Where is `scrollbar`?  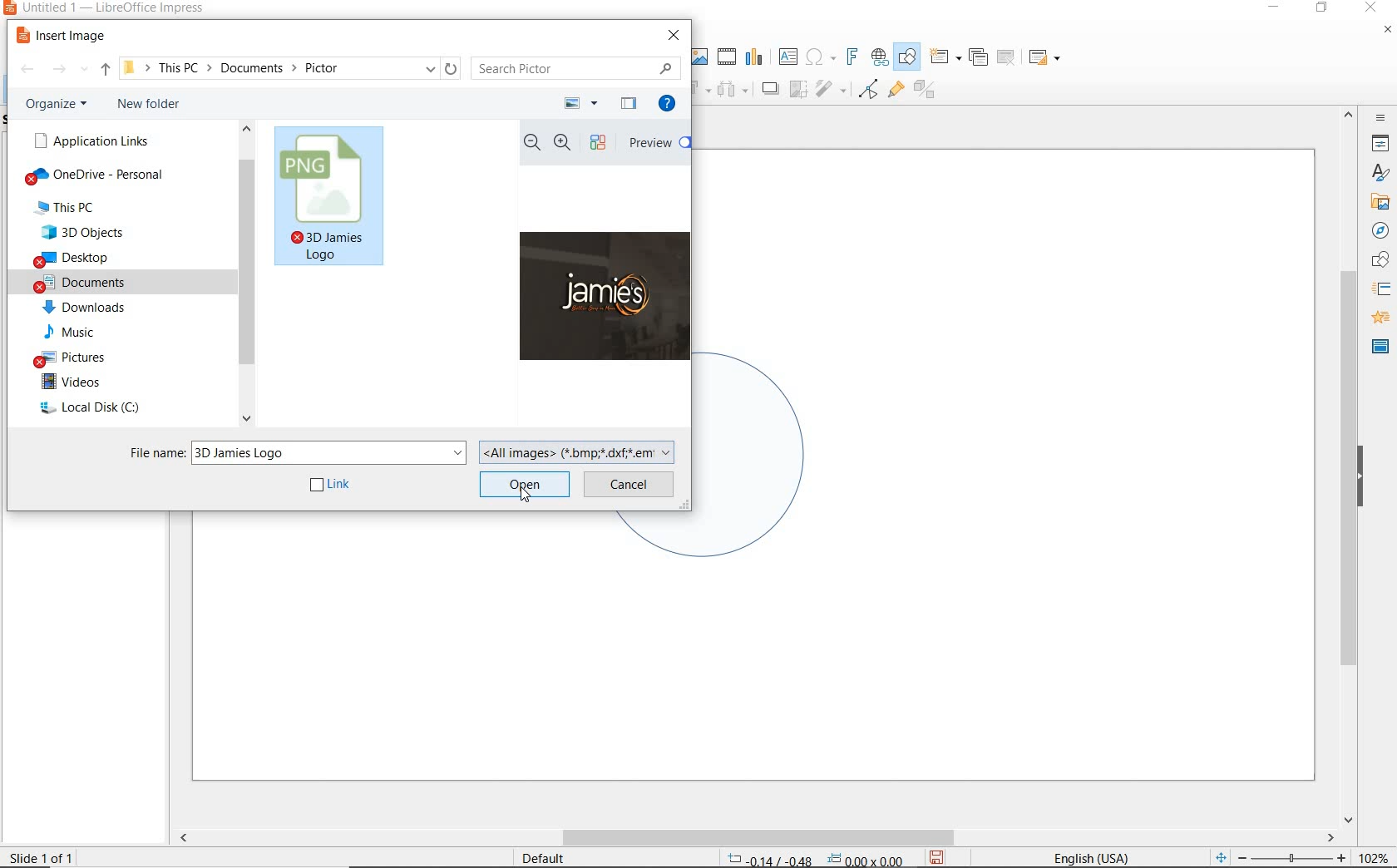 scrollbar is located at coordinates (755, 837).